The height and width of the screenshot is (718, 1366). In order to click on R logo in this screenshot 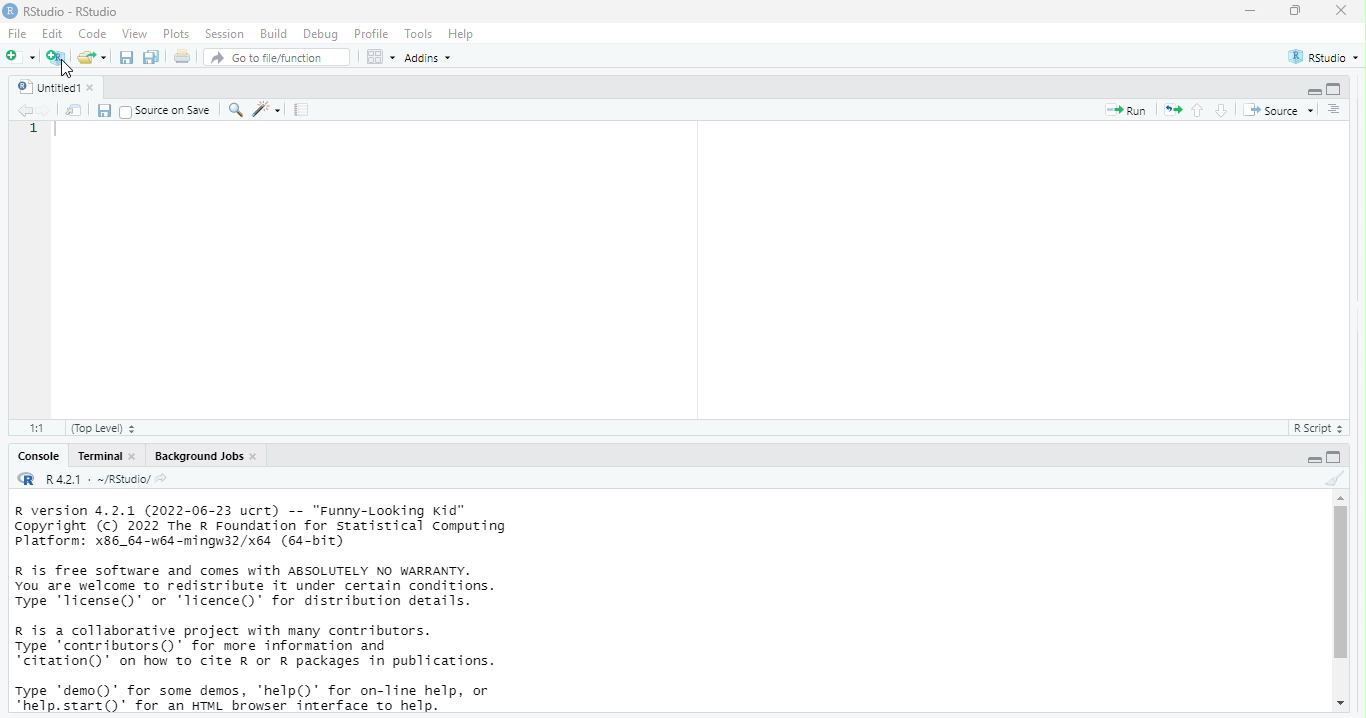, I will do `click(25, 479)`.